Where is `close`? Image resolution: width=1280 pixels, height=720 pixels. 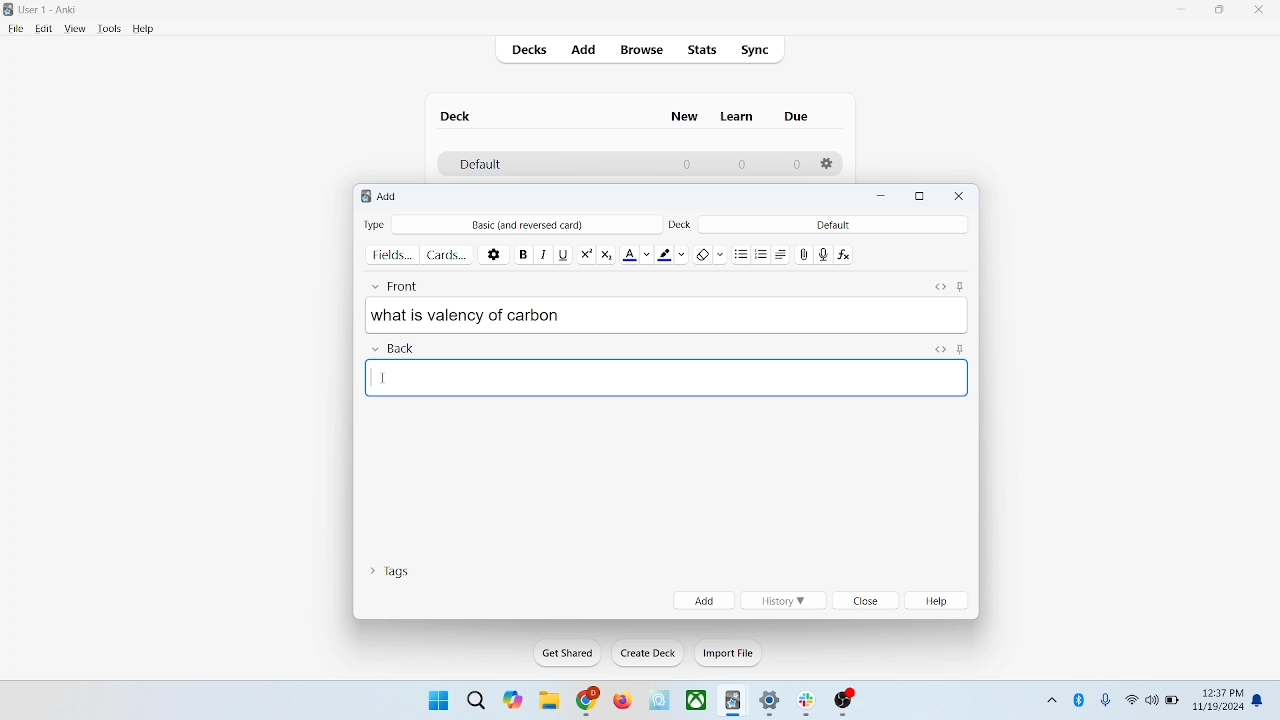
close is located at coordinates (1263, 12).